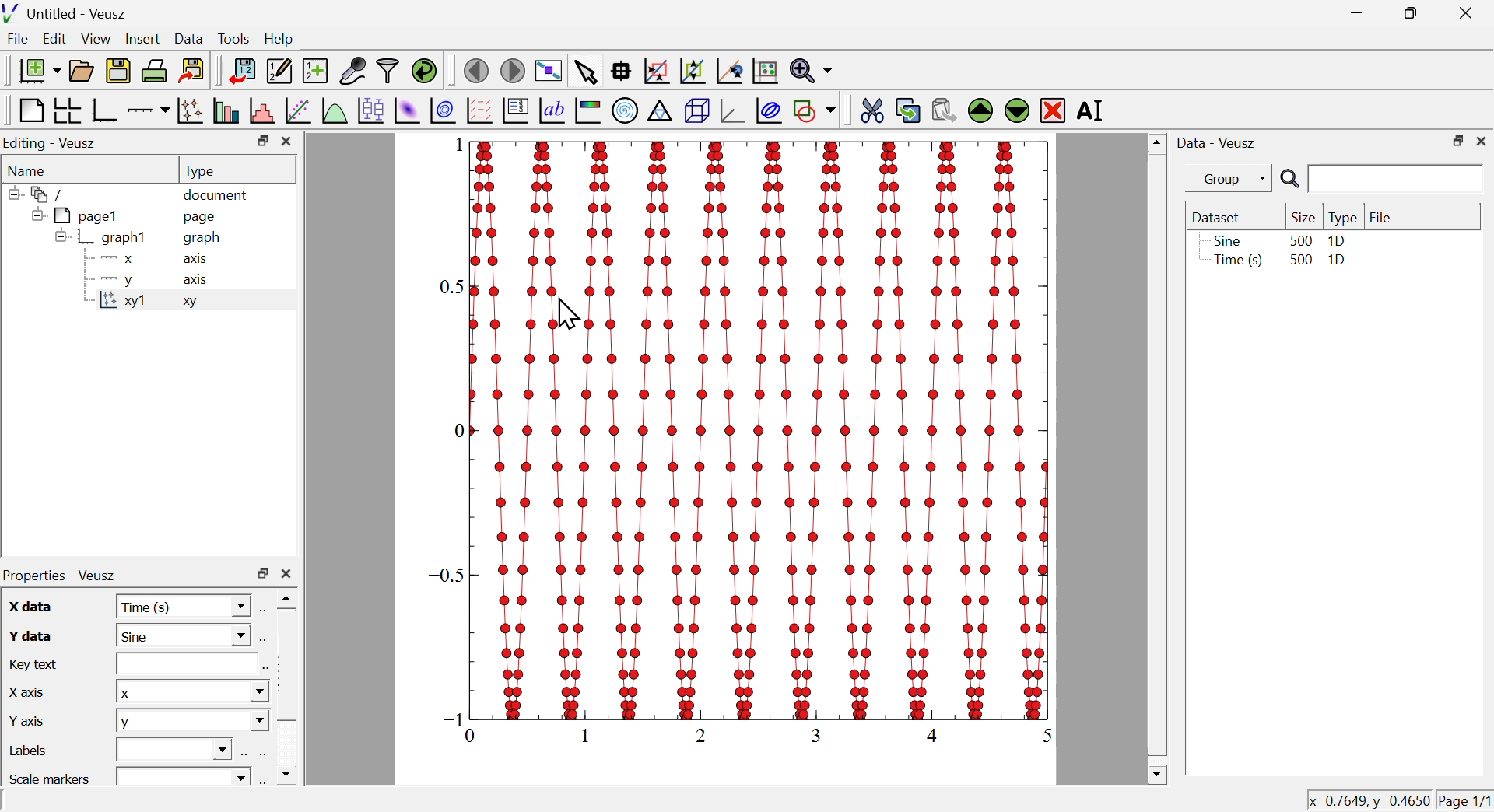 This screenshot has height=812, width=1494. I want to click on type, so click(1343, 218).